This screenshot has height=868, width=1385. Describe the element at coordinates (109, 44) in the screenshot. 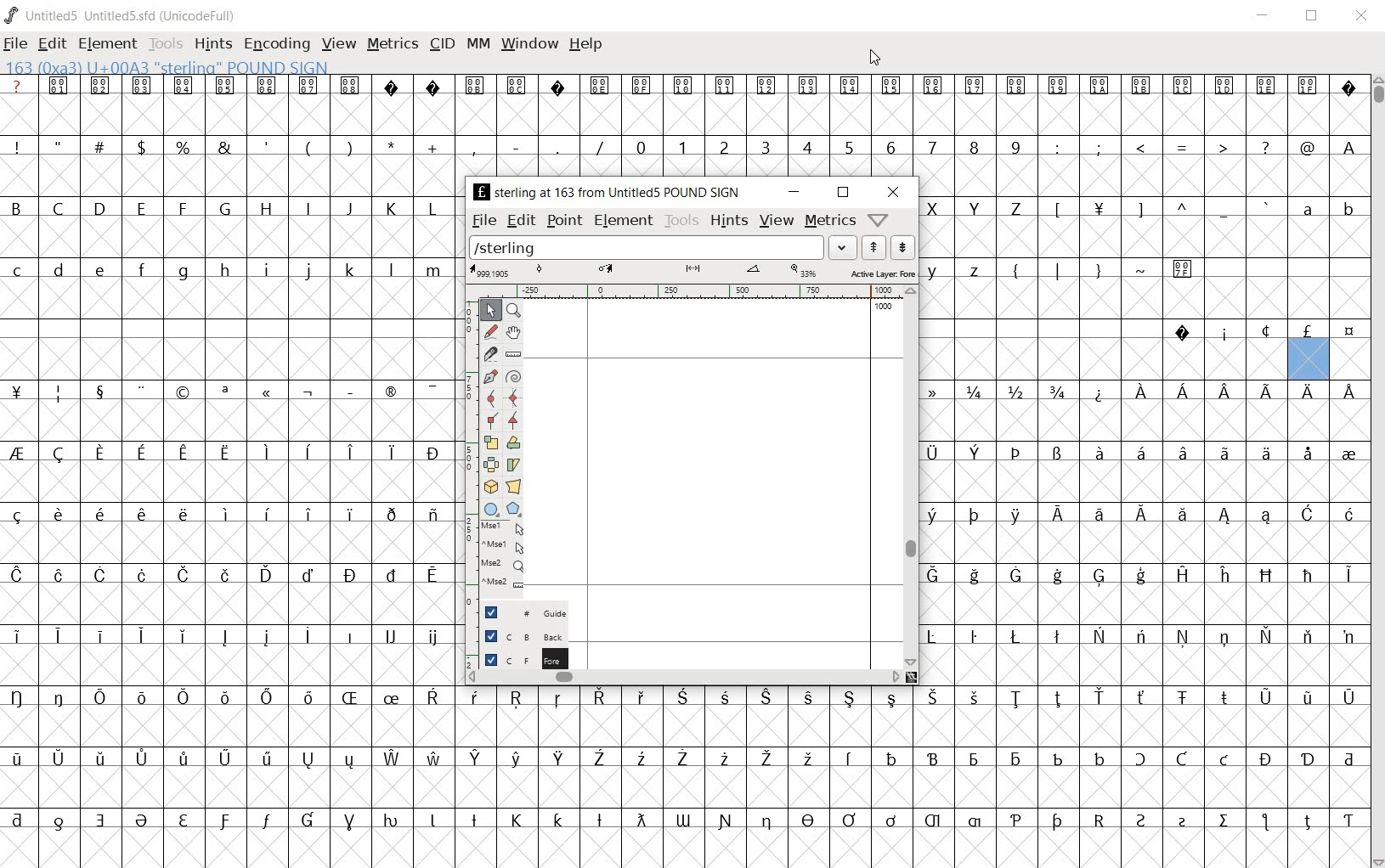

I see `element` at that location.